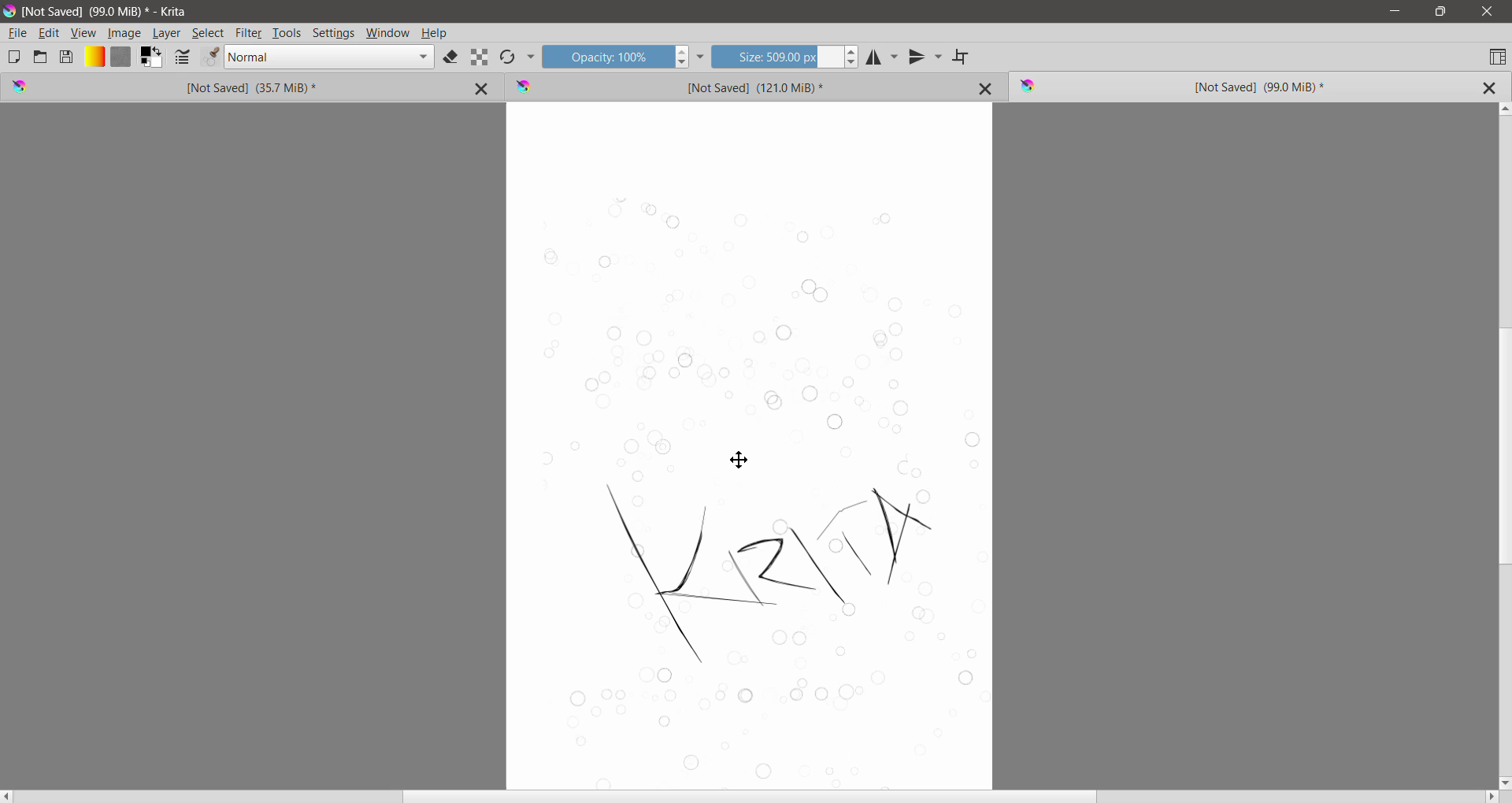  What do you see at coordinates (388, 34) in the screenshot?
I see `Window` at bounding box center [388, 34].